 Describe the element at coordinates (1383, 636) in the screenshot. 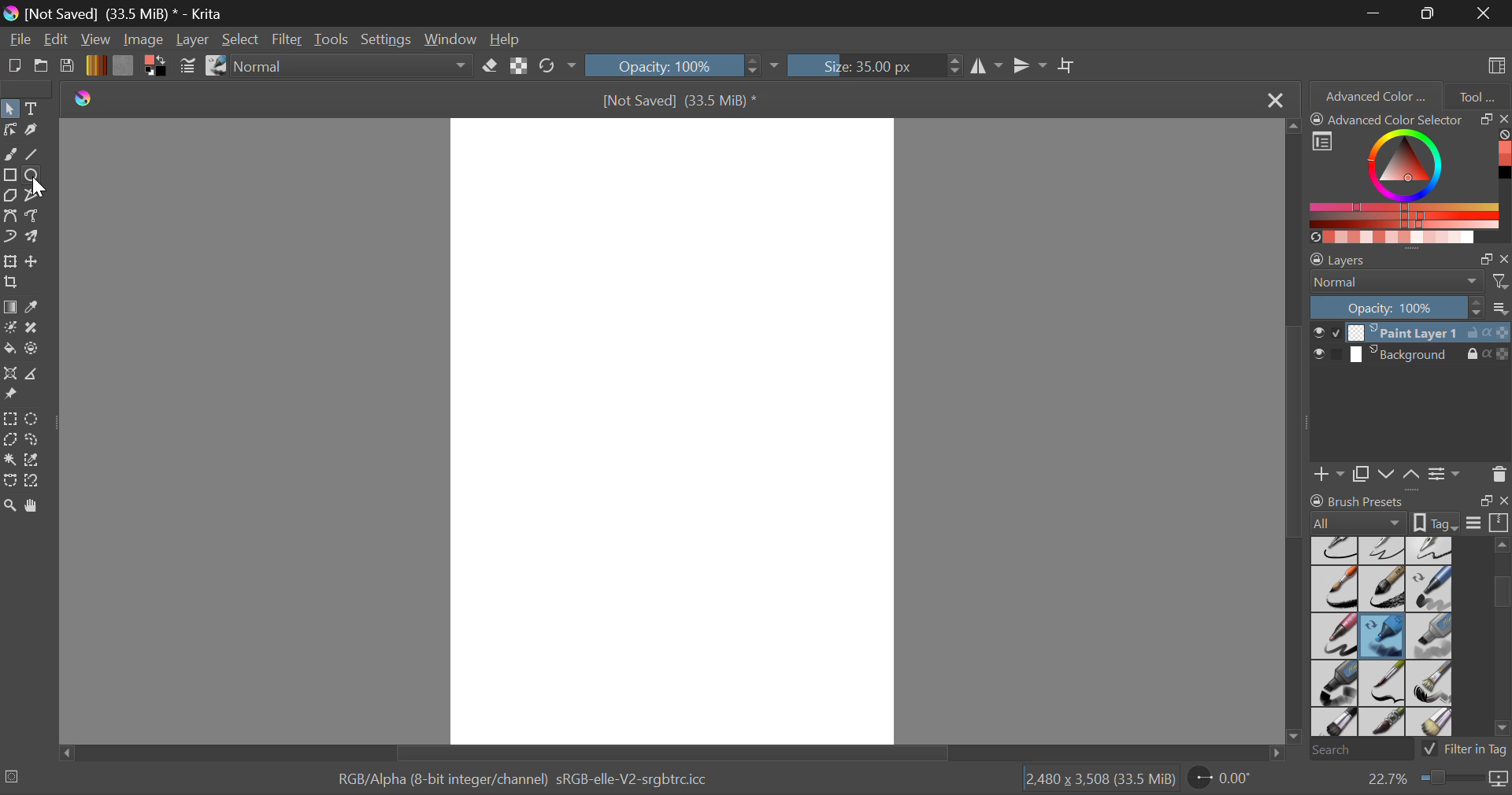

I see `Marker Dry` at that location.